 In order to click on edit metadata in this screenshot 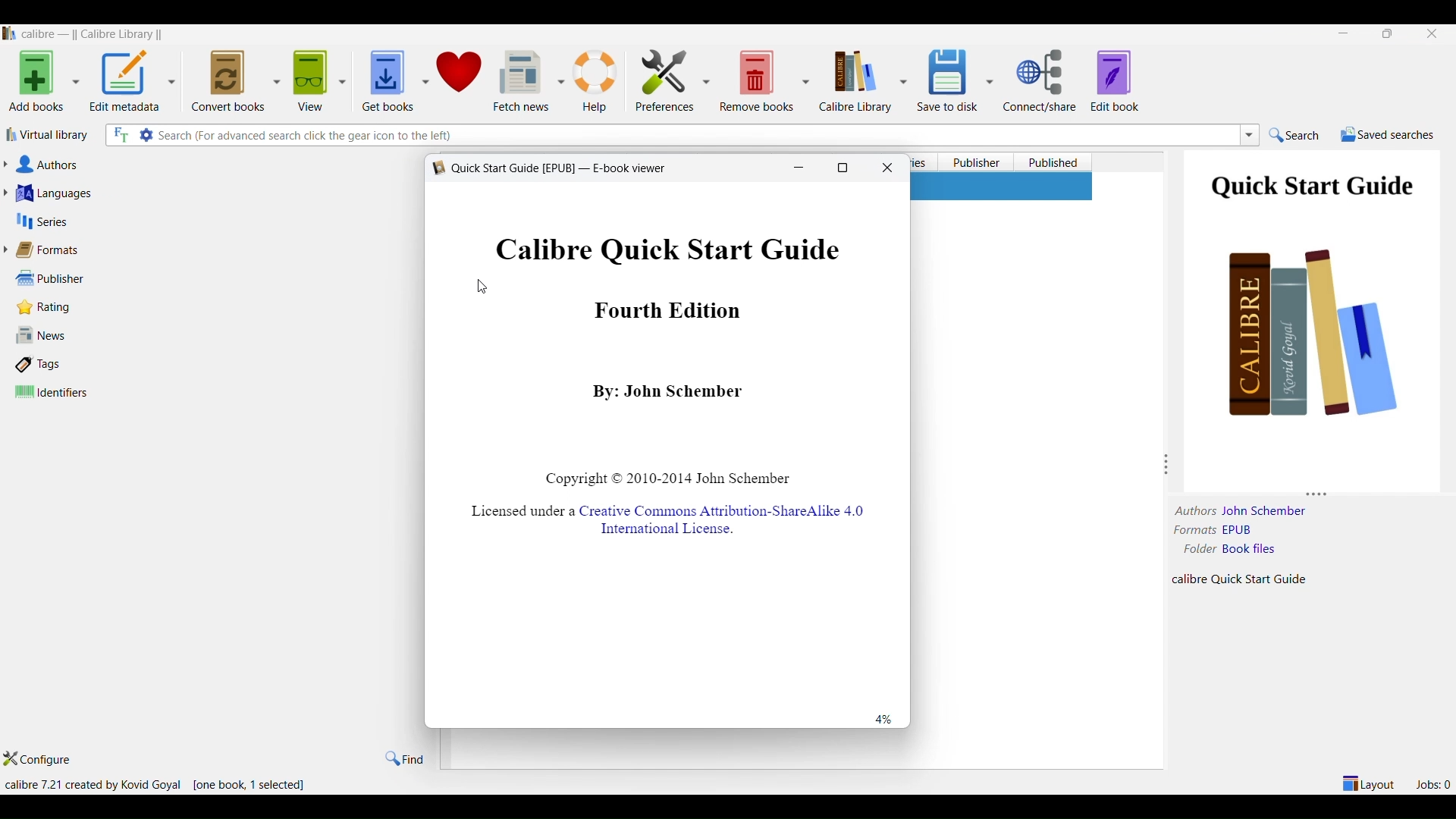, I will do `click(126, 83)`.